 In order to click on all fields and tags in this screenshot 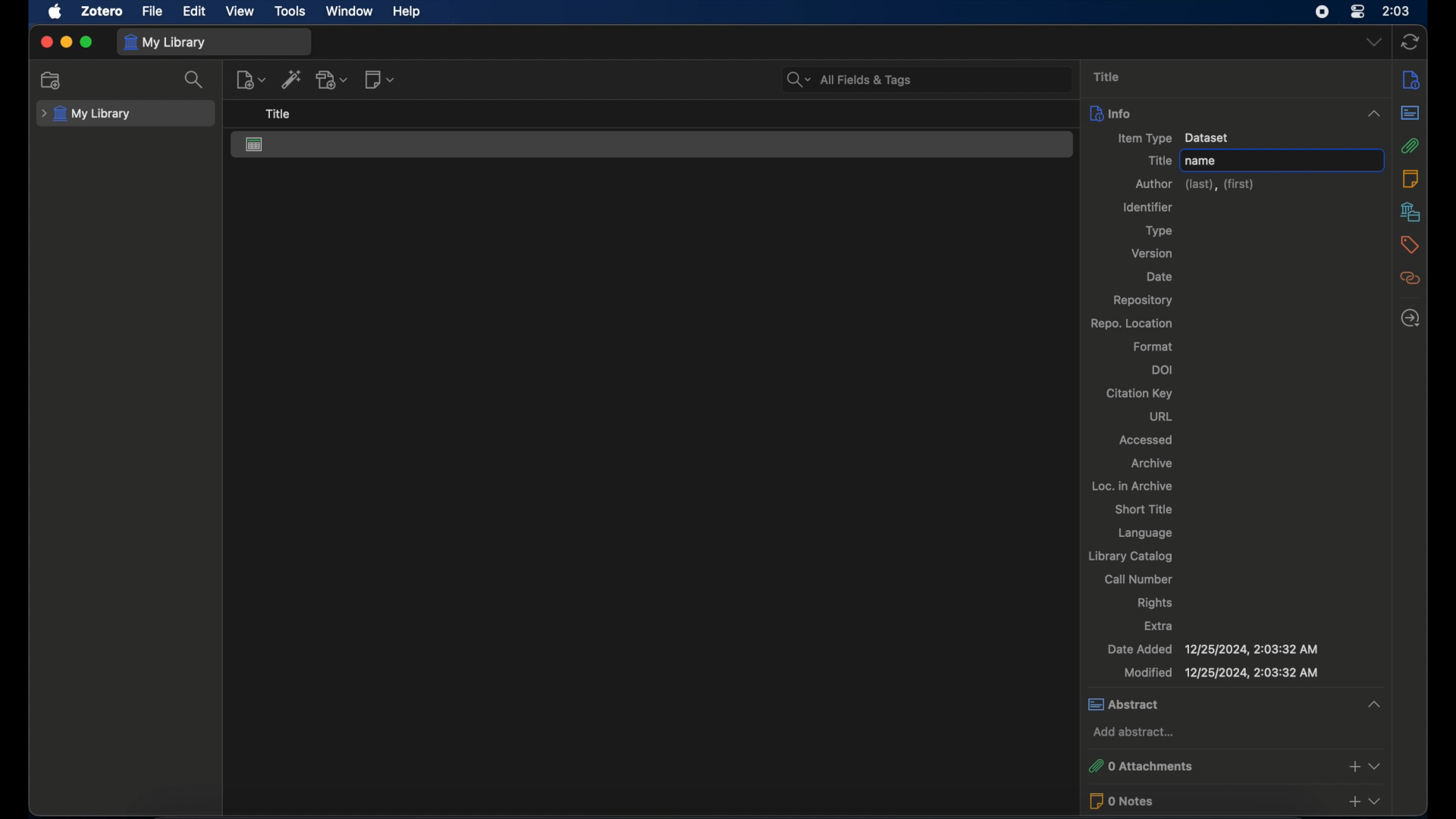, I will do `click(848, 80)`.